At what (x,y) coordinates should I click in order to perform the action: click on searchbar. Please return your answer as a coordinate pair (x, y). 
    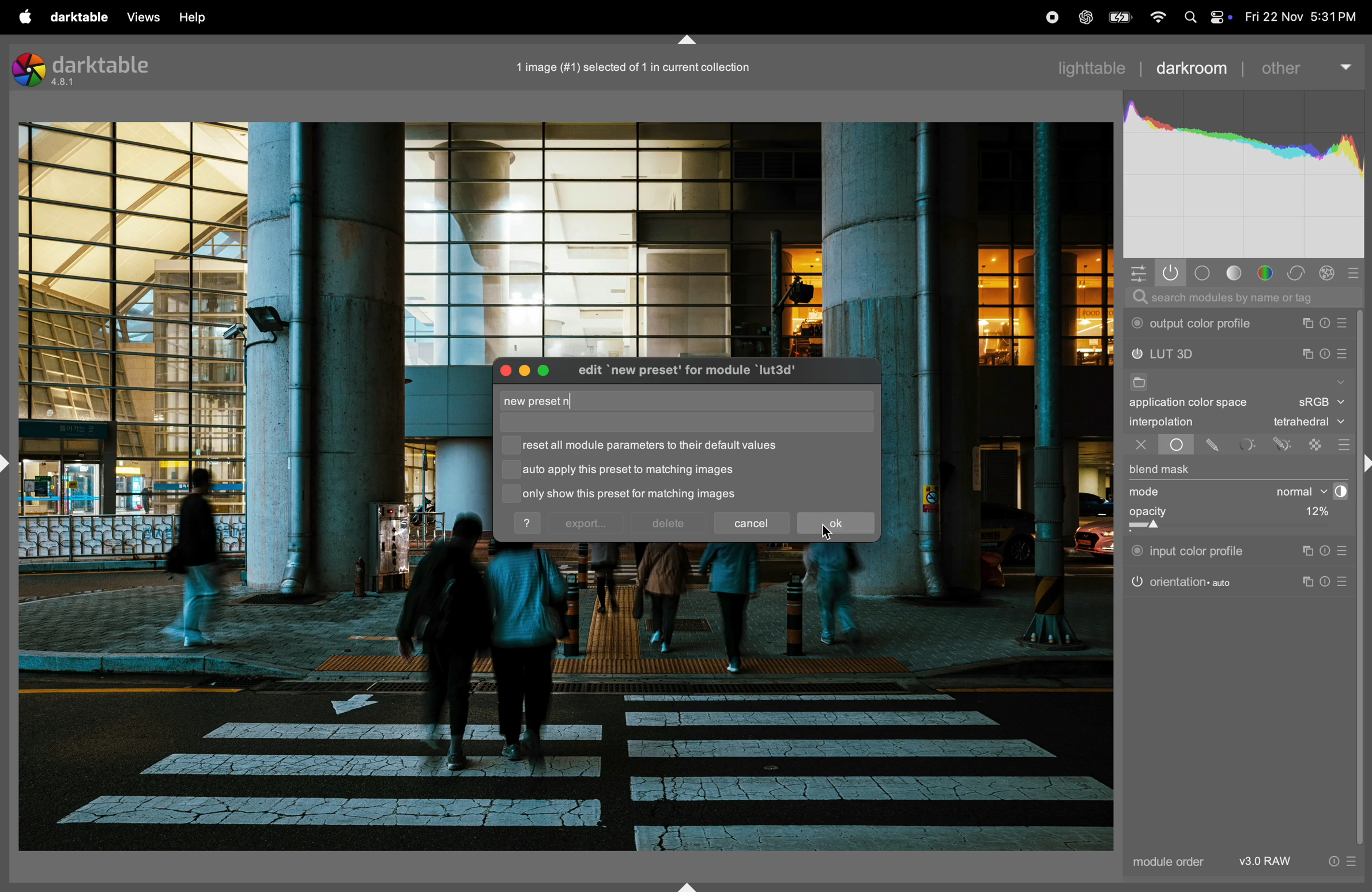
    Looking at the image, I should click on (1242, 298).